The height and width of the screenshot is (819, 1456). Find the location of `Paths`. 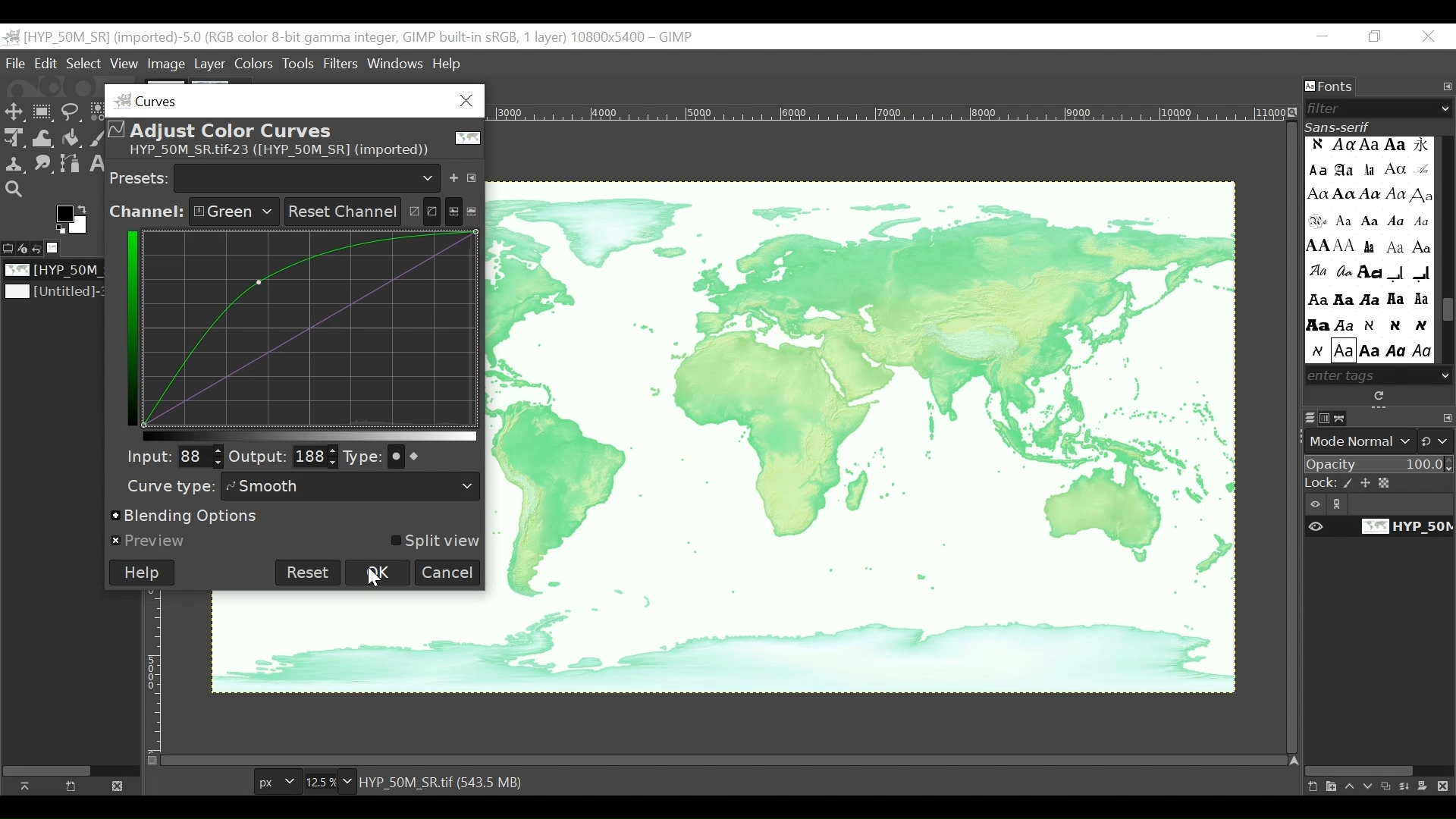

Paths is located at coordinates (1345, 418).